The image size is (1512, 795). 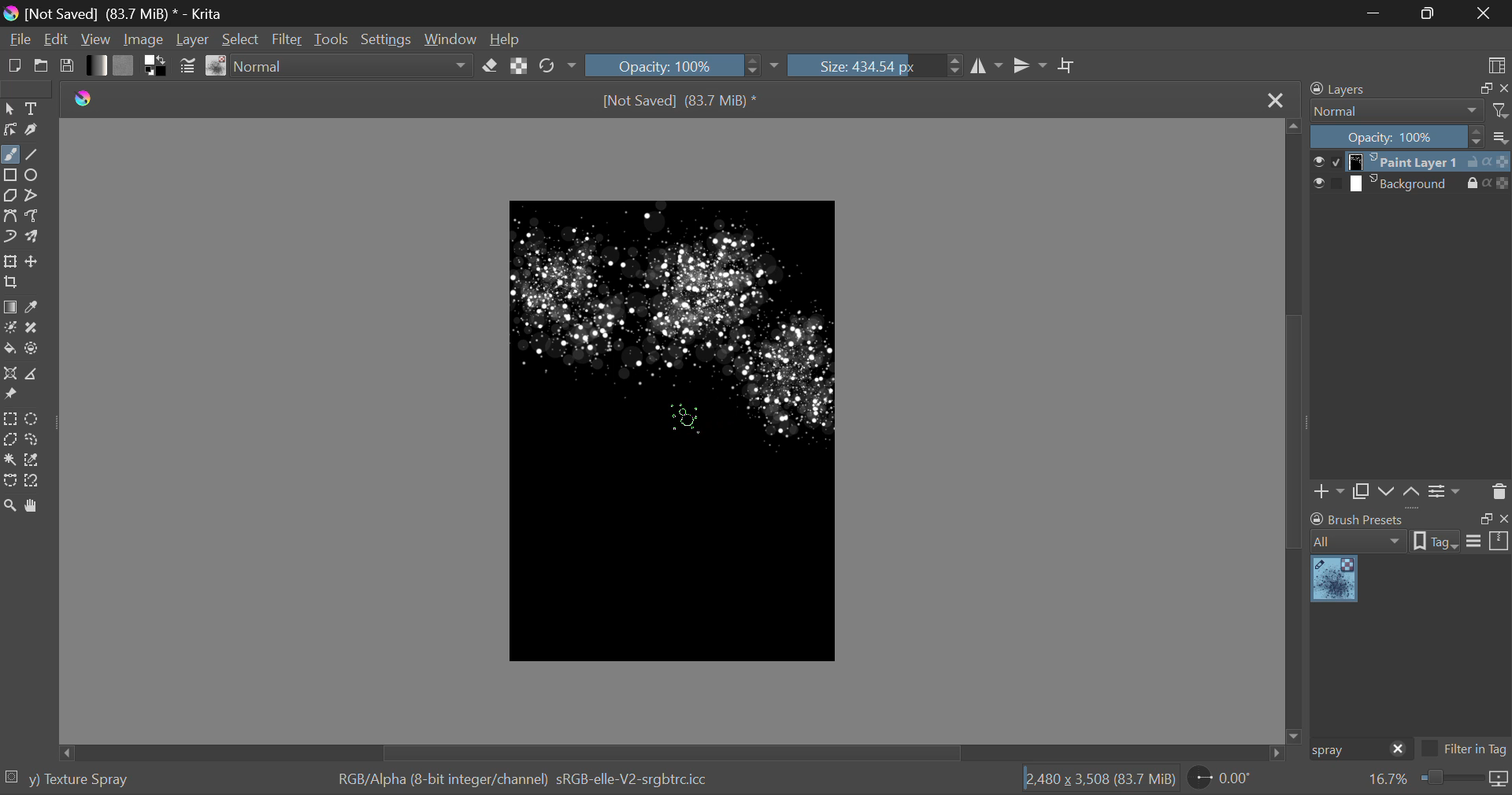 What do you see at coordinates (1484, 13) in the screenshot?
I see `Close` at bounding box center [1484, 13].